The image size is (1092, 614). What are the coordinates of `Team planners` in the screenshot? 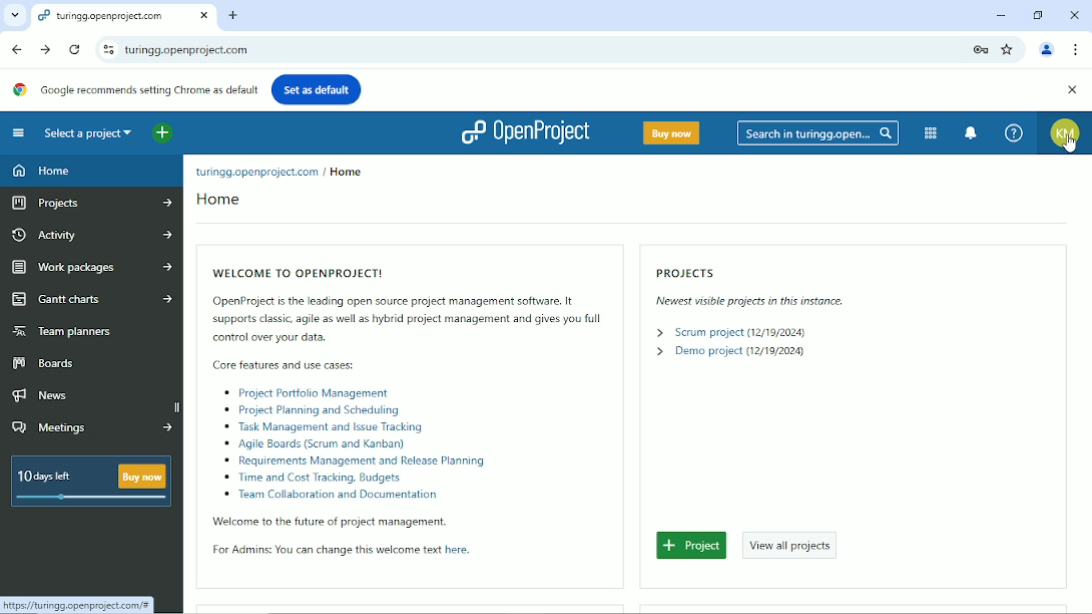 It's located at (62, 330).